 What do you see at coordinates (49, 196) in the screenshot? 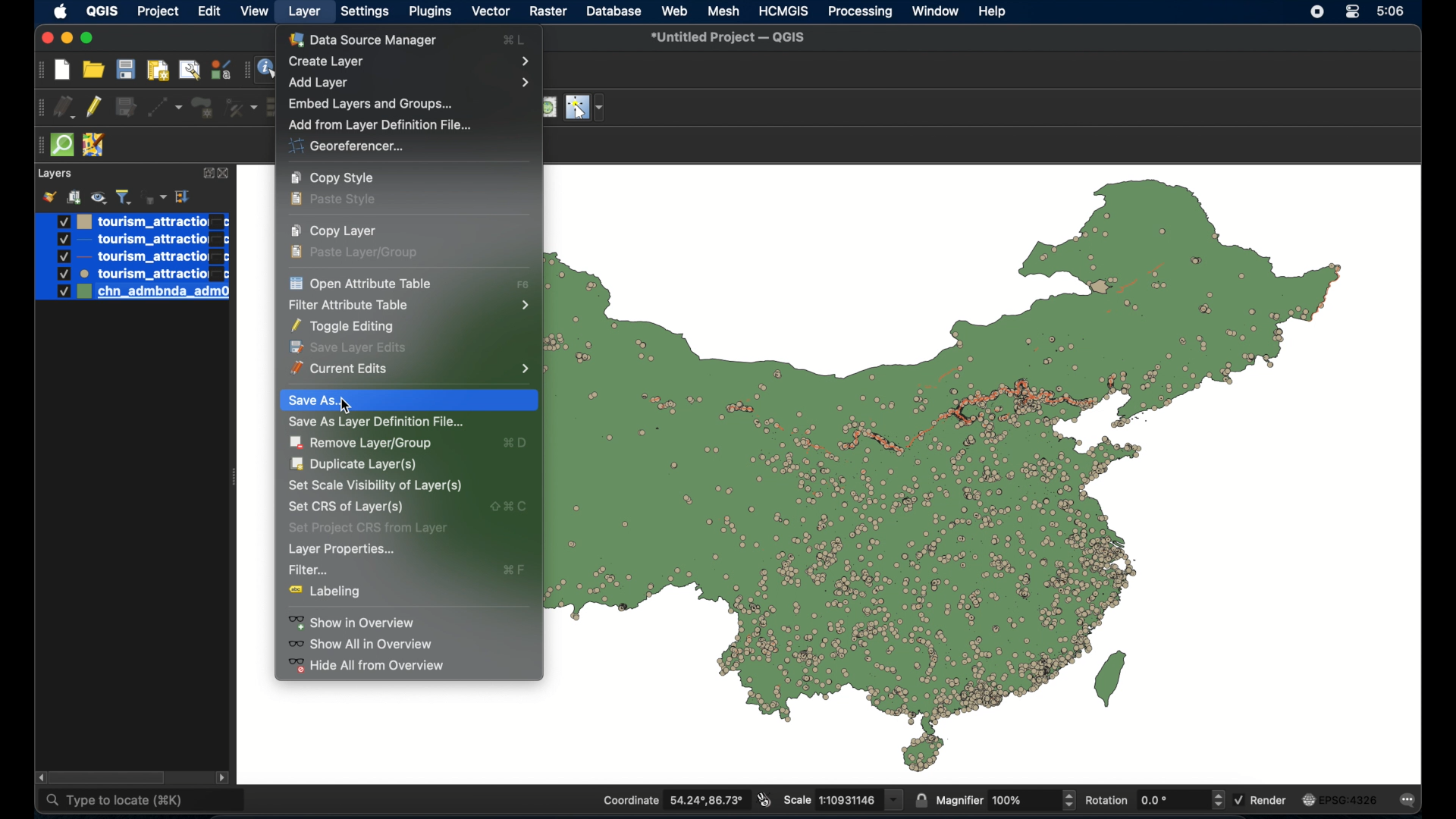
I see `open layer styling panel` at bounding box center [49, 196].